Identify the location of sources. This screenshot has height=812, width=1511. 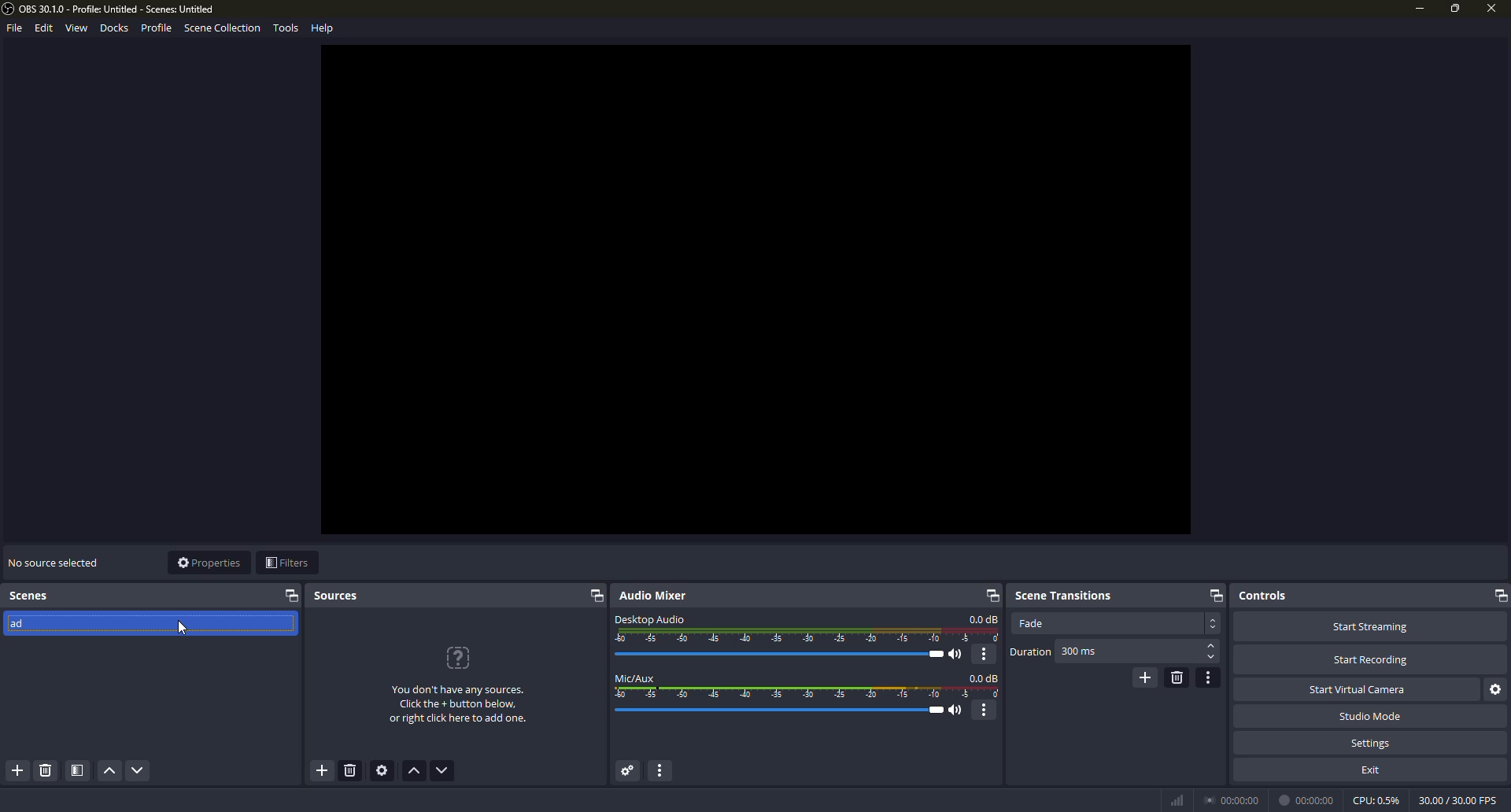
(338, 596).